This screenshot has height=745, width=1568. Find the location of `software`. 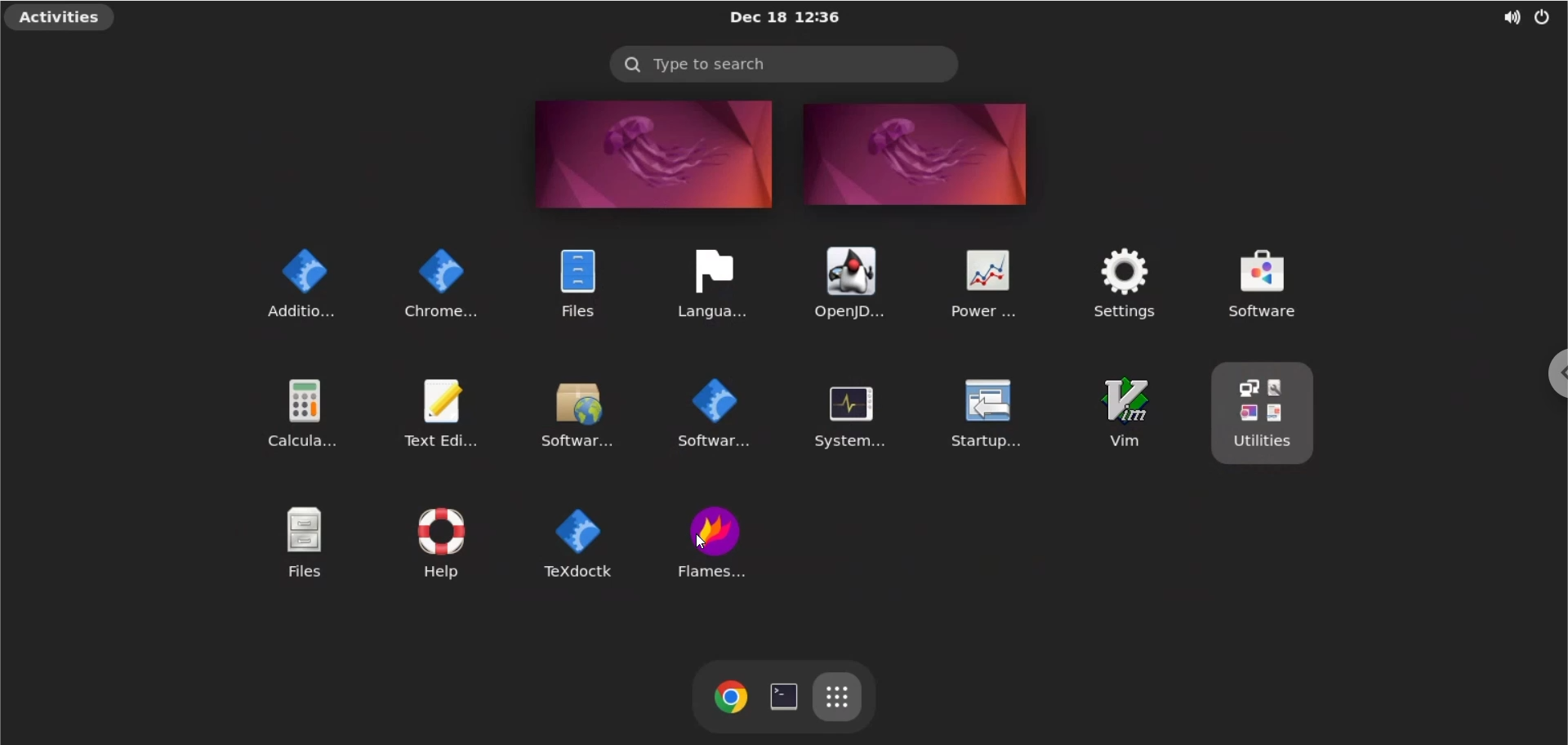

software is located at coordinates (1296, 282).